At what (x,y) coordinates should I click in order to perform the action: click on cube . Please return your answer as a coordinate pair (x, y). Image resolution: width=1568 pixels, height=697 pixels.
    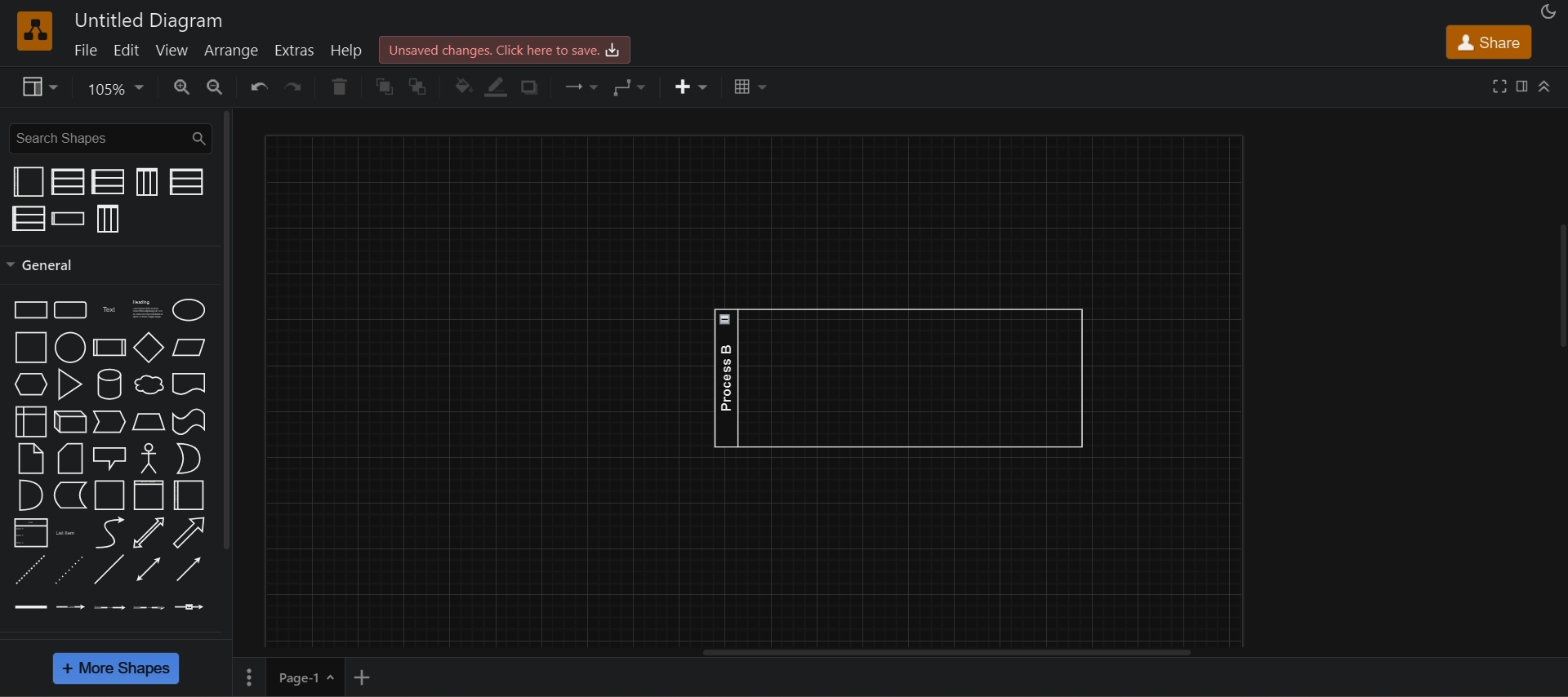
    Looking at the image, I should click on (69, 422).